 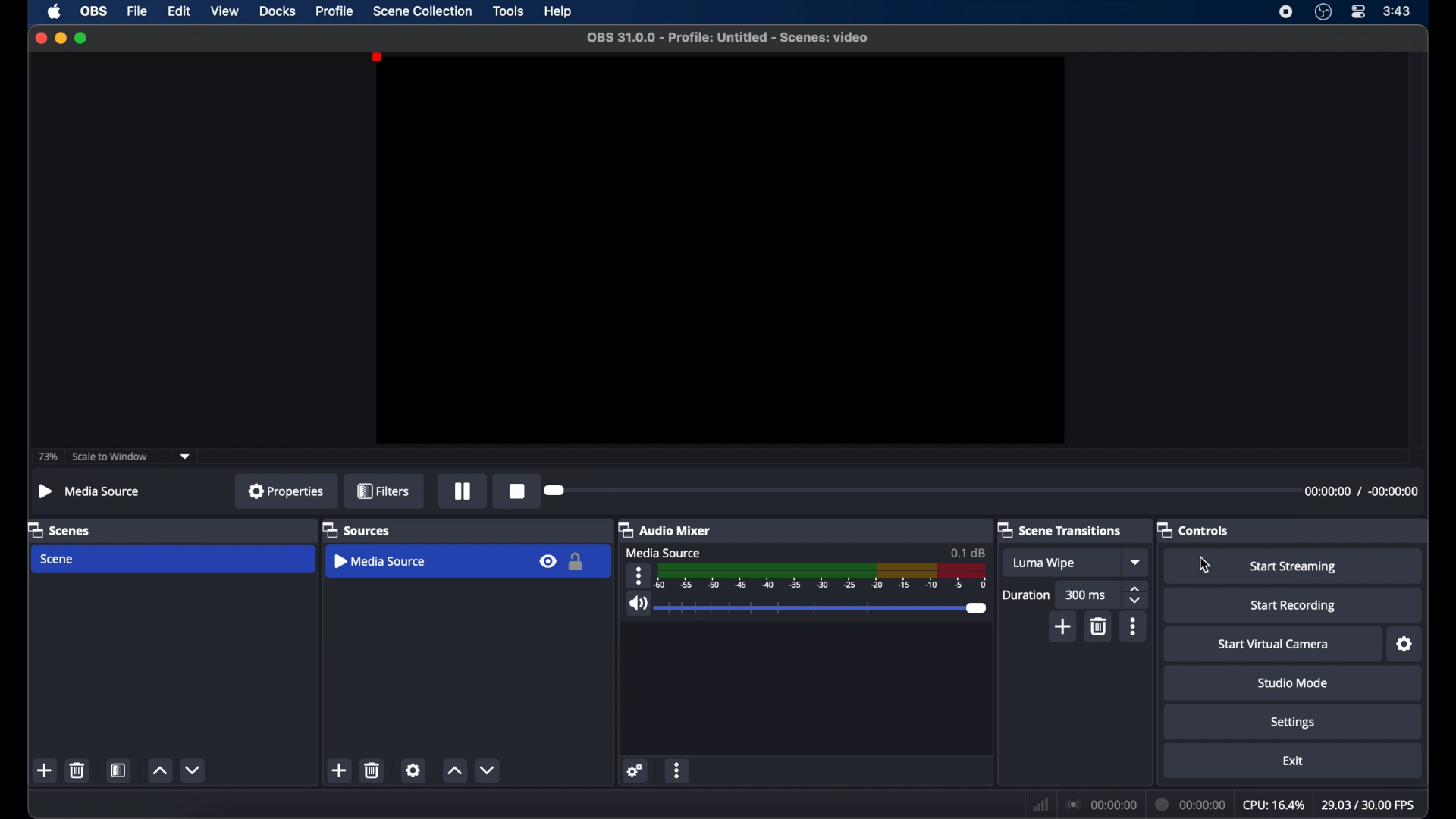 What do you see at coordinates (1193, 530) in the screenshot?
I see `controls` at bounding box center [1193, 530].